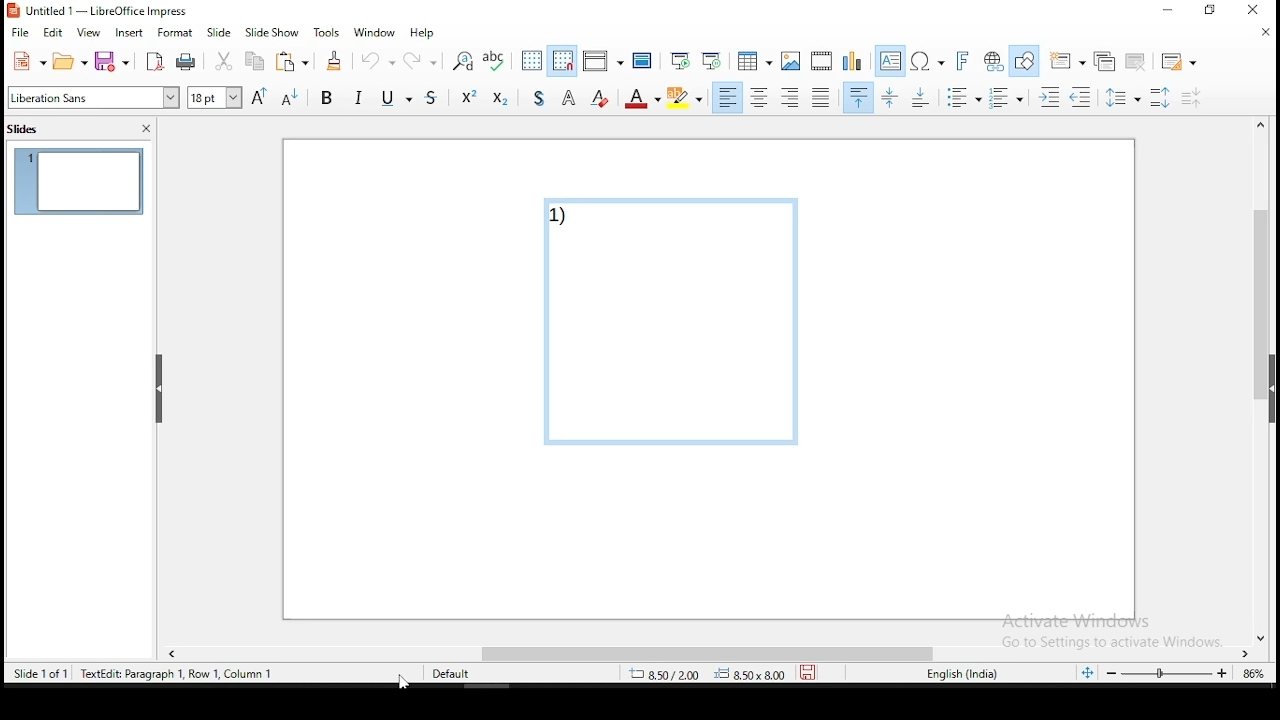  Describe the element at coordinates (599, 99) in the screenshot. I see `clear direct formatting` at that location.